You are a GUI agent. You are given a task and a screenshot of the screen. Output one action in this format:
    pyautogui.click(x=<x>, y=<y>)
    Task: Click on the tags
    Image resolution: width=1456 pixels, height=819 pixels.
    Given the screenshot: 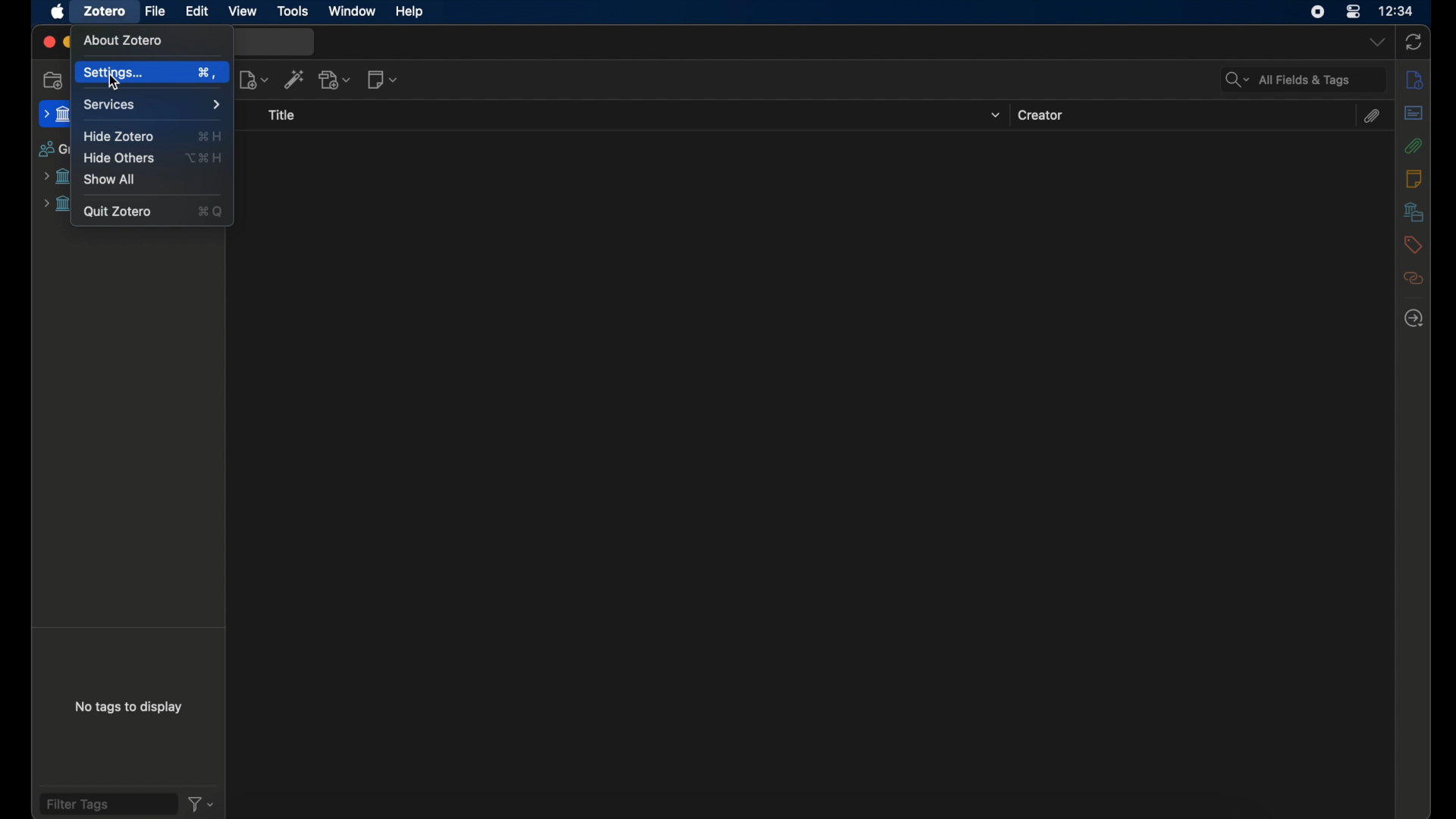 What is the action you would take?
    pyautogui.click(x=1412, y=246)
    